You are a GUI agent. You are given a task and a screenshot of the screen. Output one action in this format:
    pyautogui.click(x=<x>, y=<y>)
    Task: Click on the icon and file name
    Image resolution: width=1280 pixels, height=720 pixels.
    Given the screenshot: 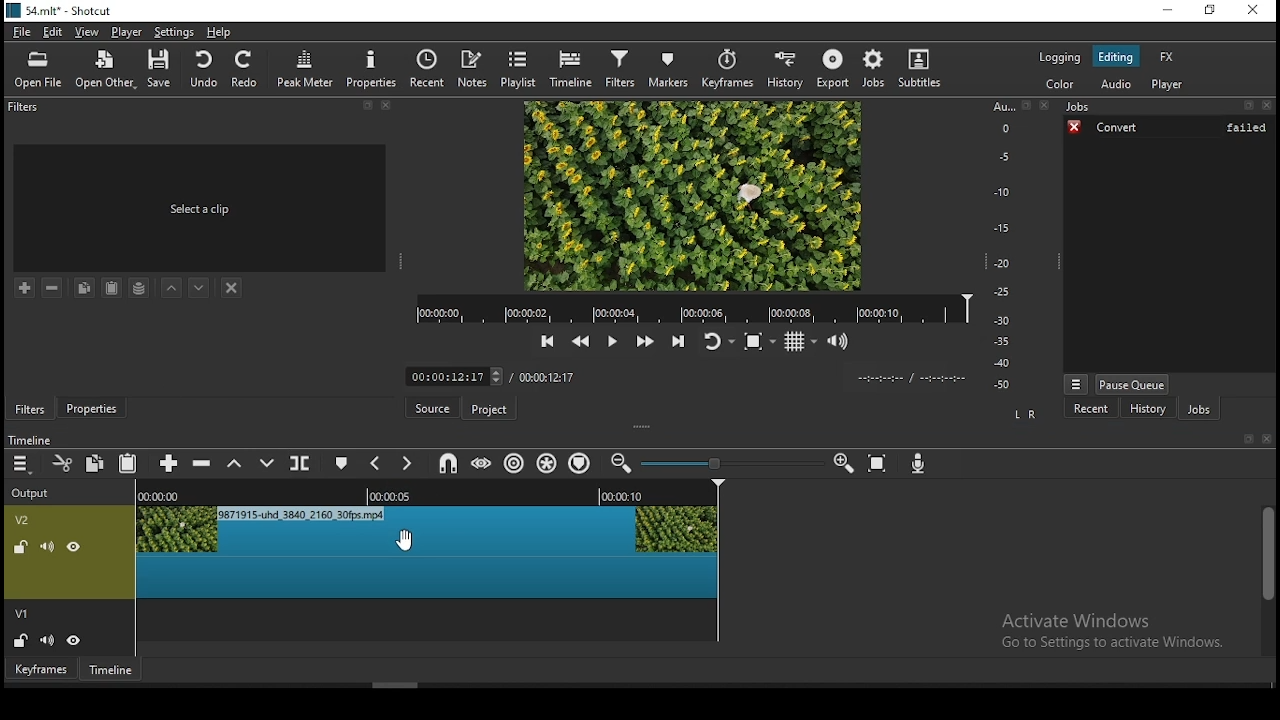 What is the action you would take?
    pyautogui.click(x=63, y=11)
    